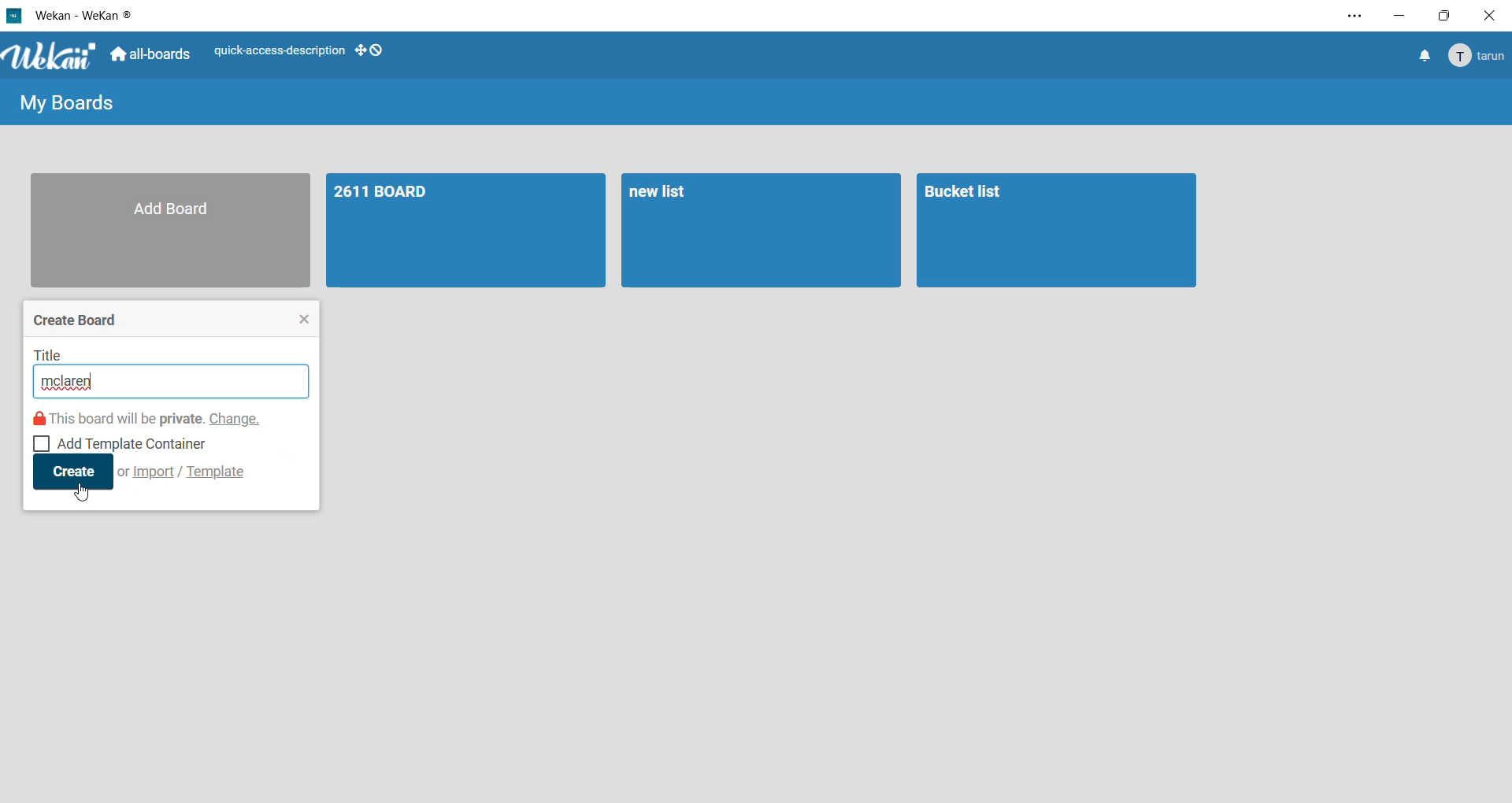 Image resolution: width=1512 pixels, height=803 pixels. Describe the element at coordinates (72, 472) in the screenshot. I see `create` at that location.